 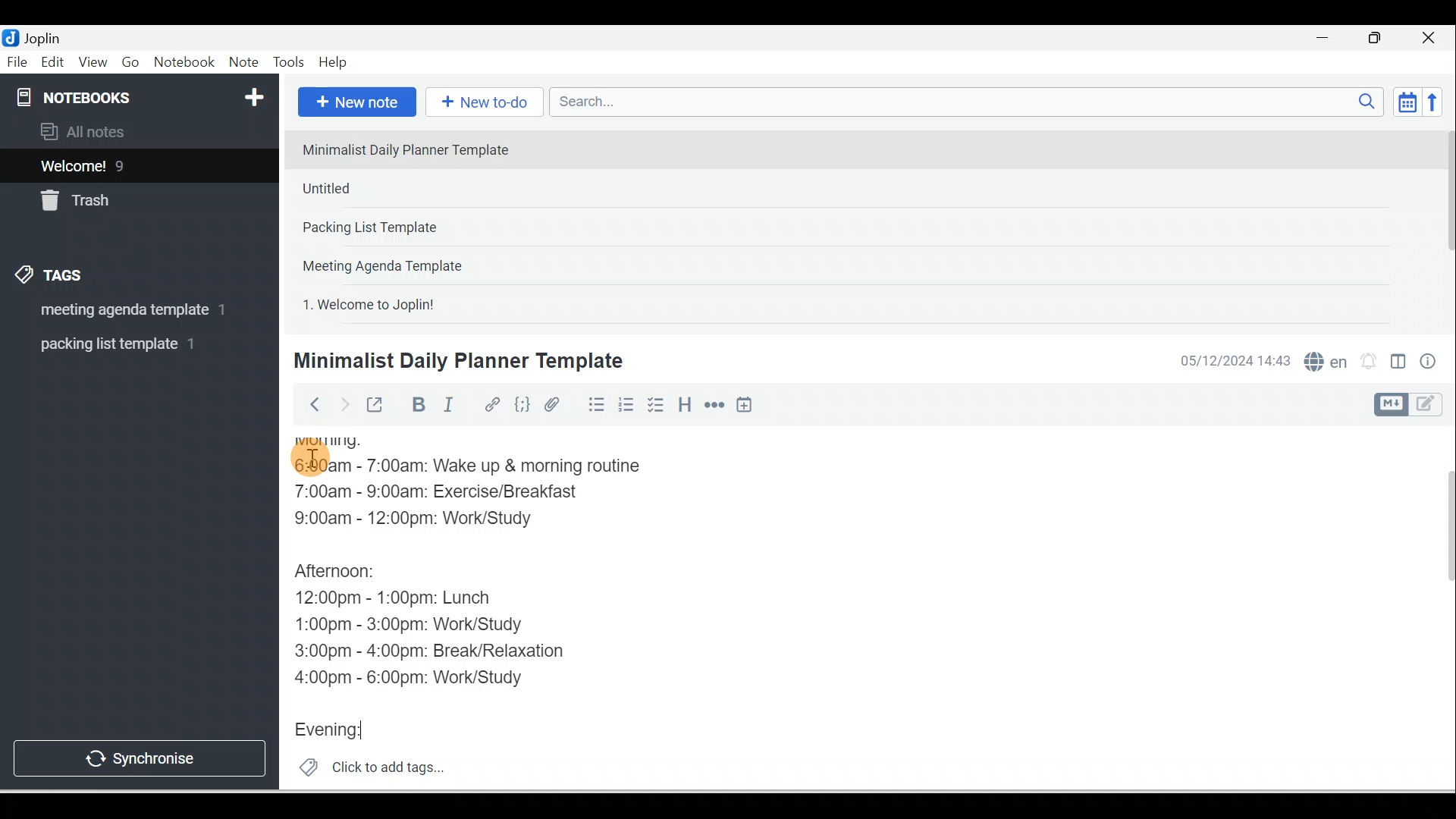 What do you see at coordinates (418, 228) in the screenshot?
I see `Note 3` at bounding box center [418, 228].